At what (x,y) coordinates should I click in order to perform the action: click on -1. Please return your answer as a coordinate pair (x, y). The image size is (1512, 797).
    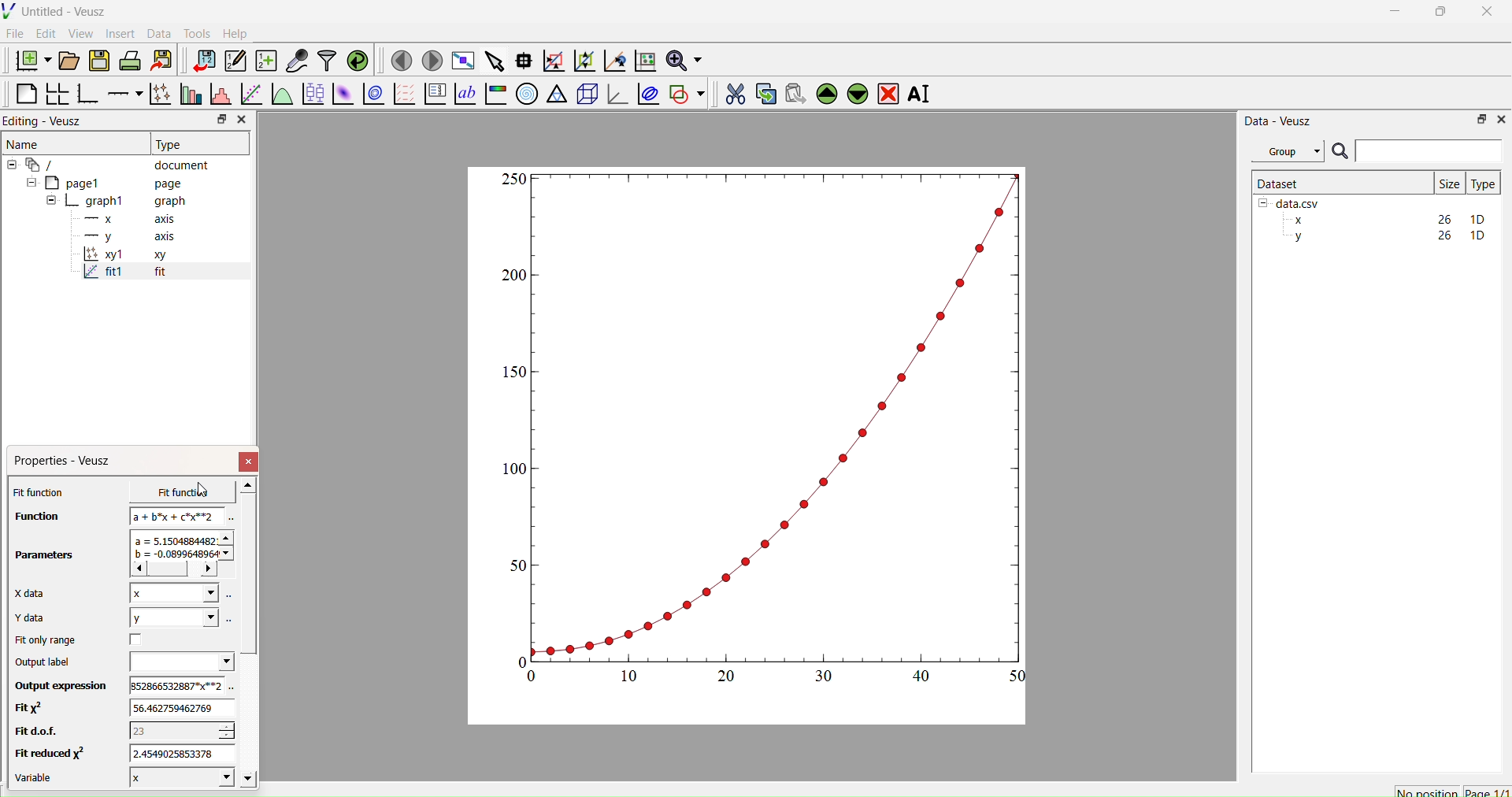
    Looking at the image, I should click on (176, 710).